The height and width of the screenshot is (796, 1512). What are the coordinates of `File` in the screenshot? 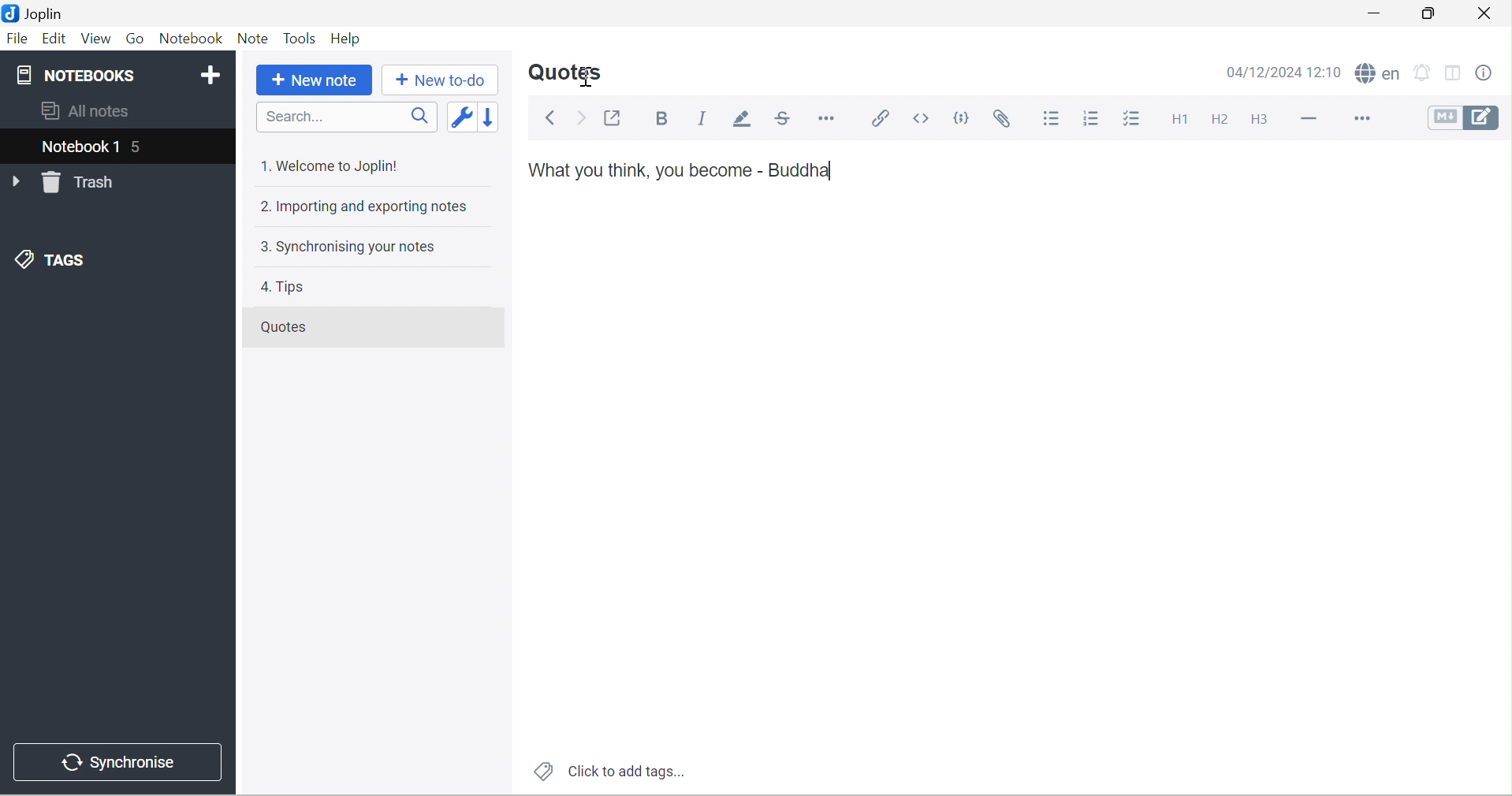 It's located at (18, 39).